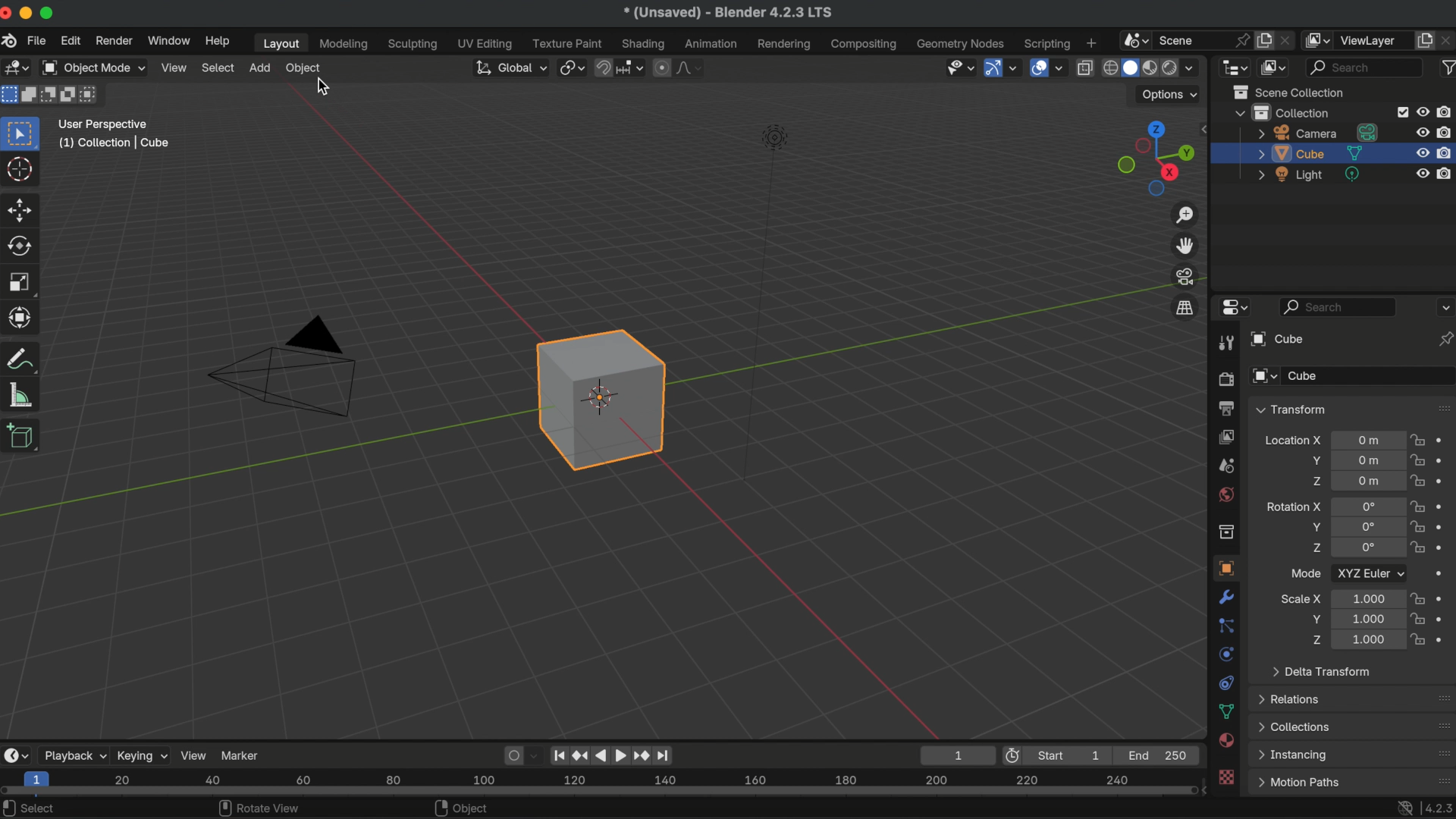 Image resolution: width=1456 pixels, height=819 pixels. Describe the element at coordinates (1061, 69) in the screenshot. I see `overlays` at that location.